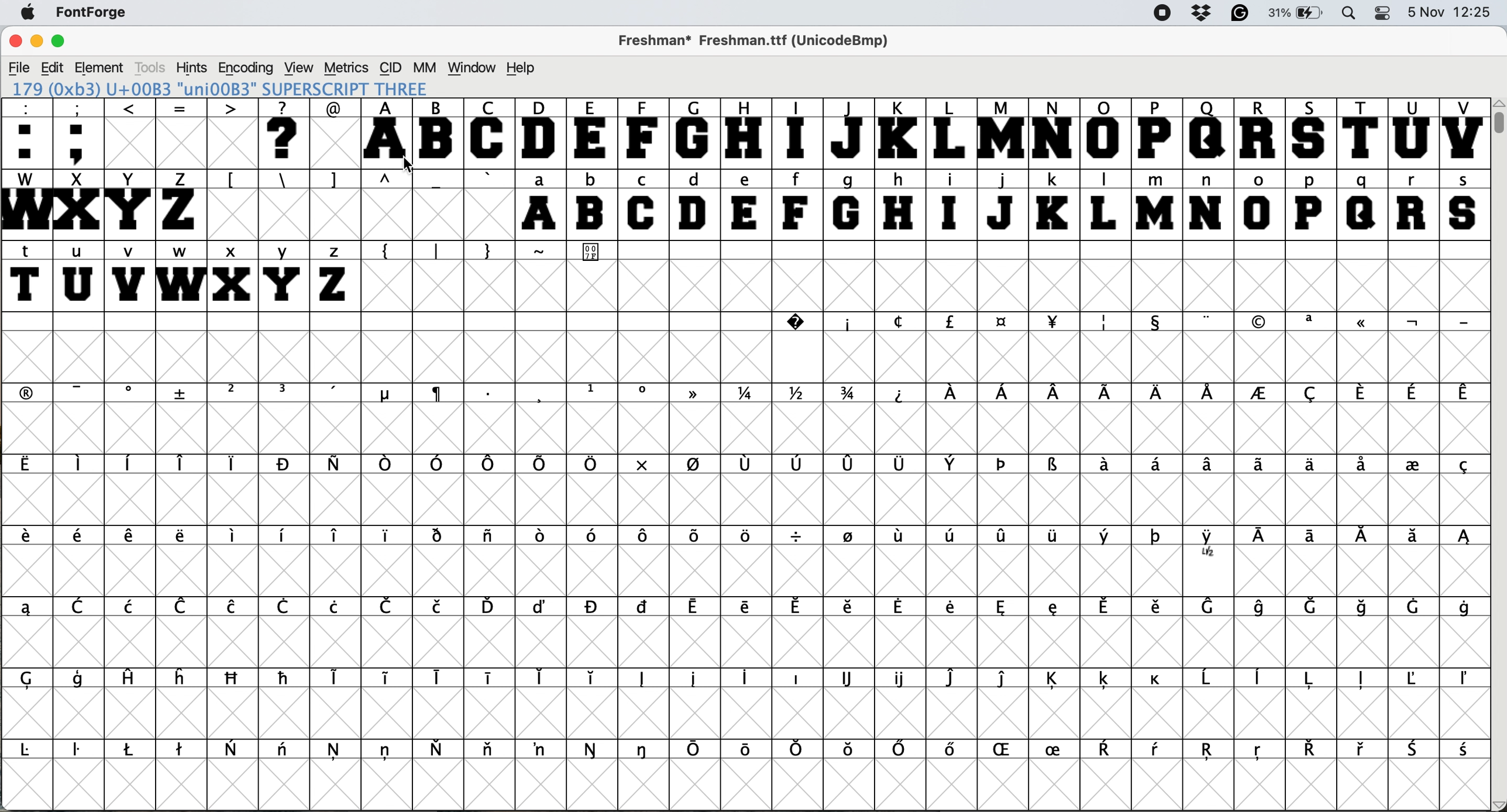  I want to click on symbol, so click(336, 536).